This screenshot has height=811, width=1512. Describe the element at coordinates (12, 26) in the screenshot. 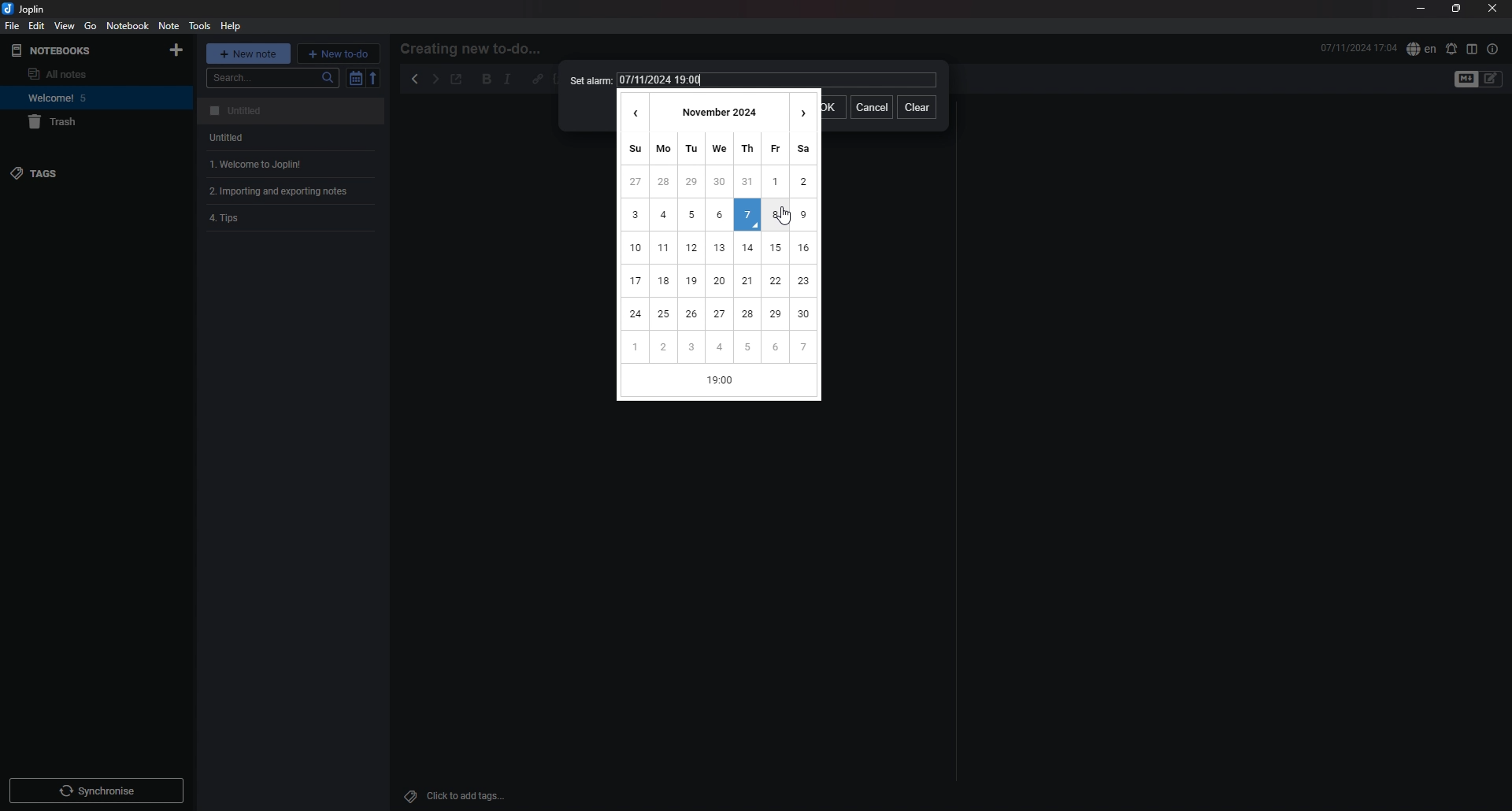

I see `file` at that location.